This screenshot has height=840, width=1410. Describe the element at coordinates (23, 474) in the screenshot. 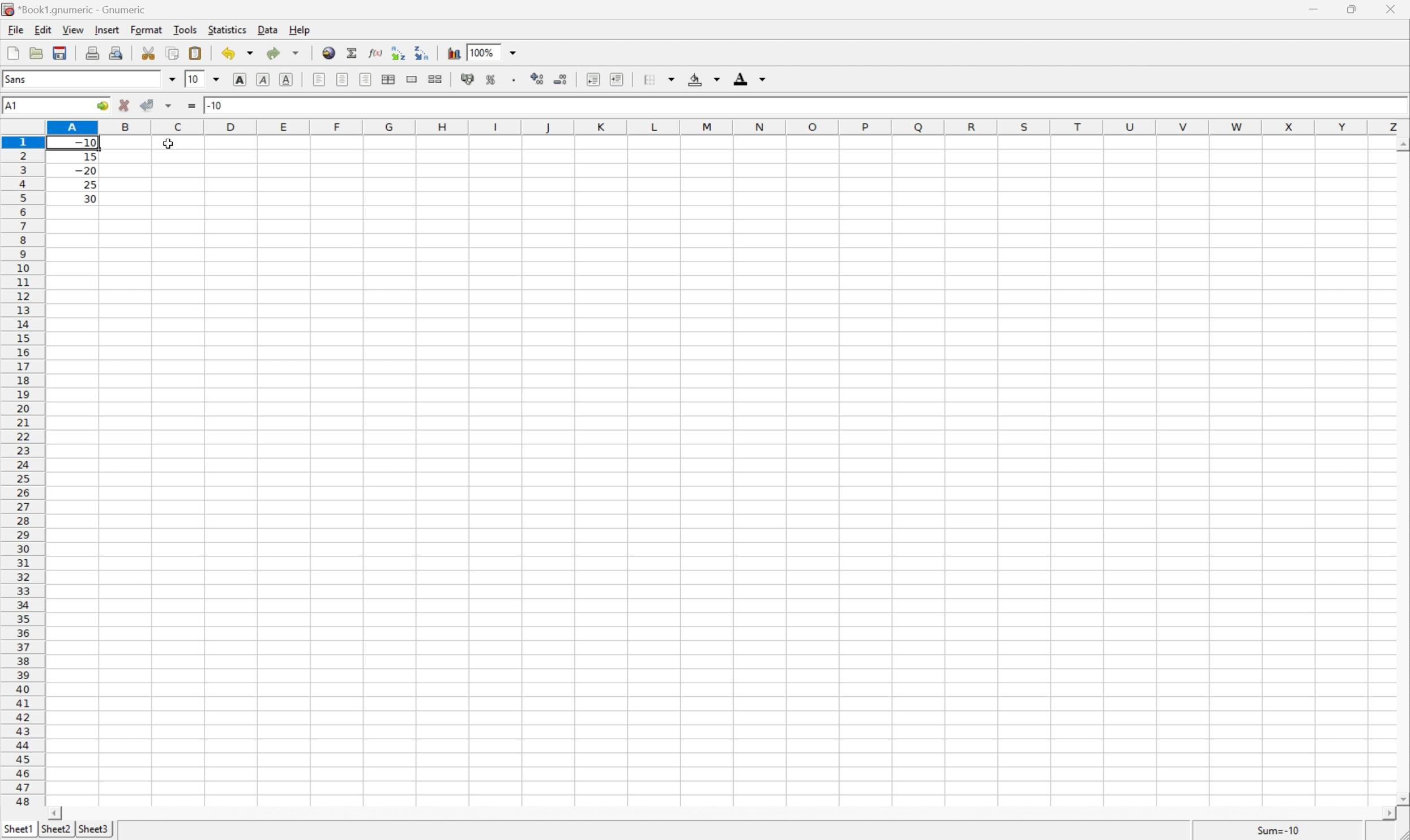

I see `Row numbers` at that location.